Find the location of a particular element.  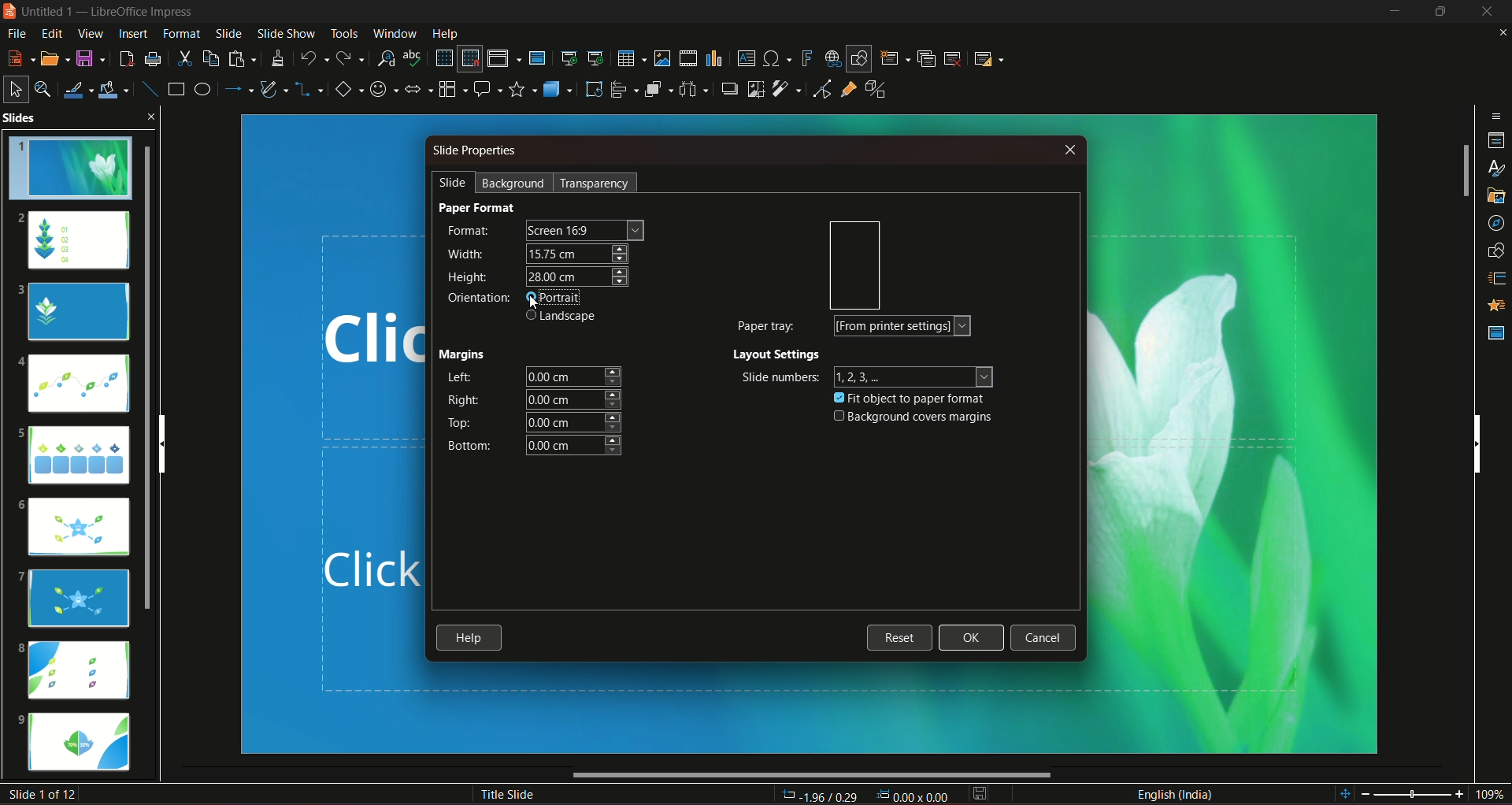

close is located at coordinates (154, 115).